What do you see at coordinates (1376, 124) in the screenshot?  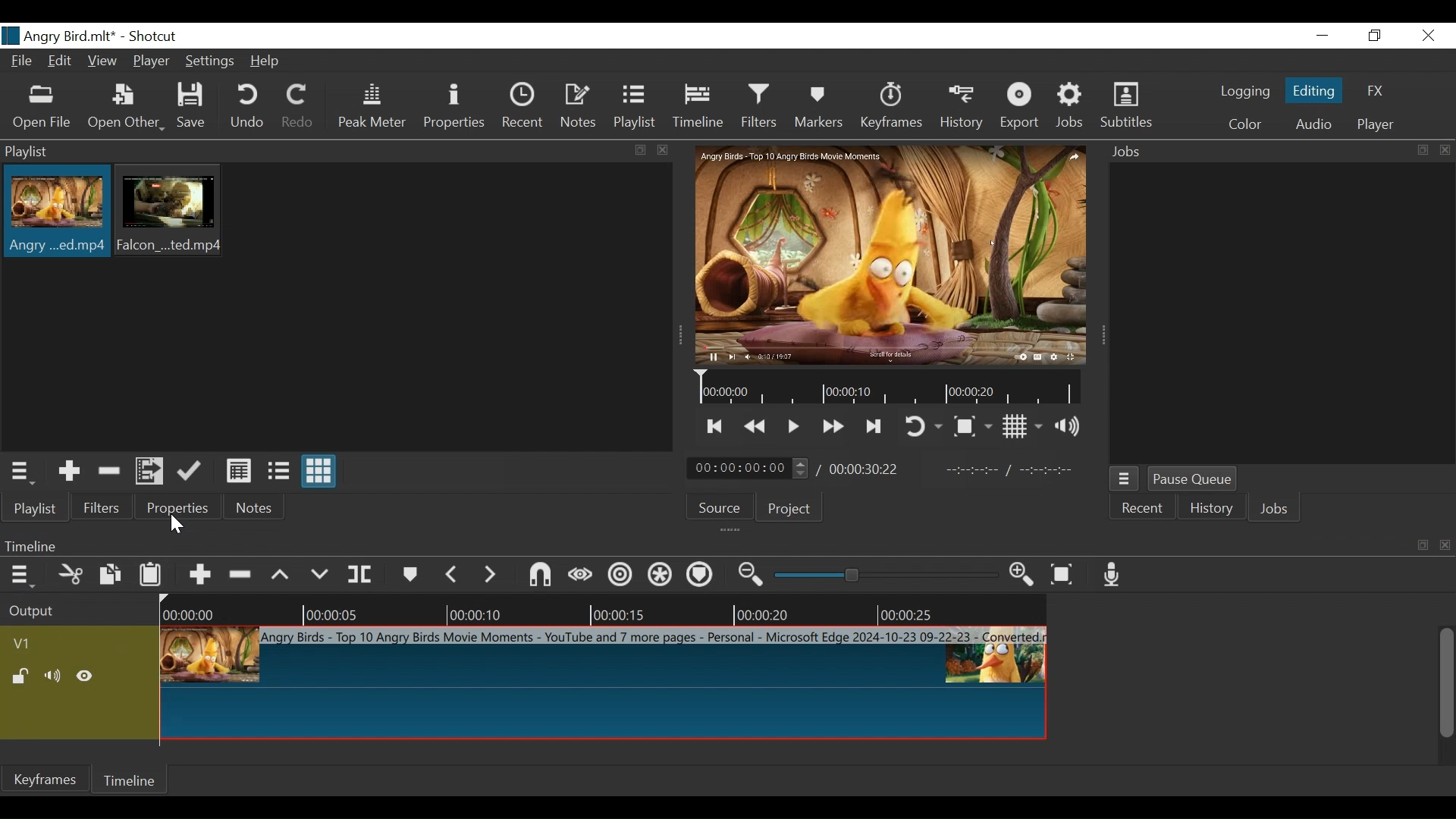 I see `Player` at bounding box center [1376, 124].